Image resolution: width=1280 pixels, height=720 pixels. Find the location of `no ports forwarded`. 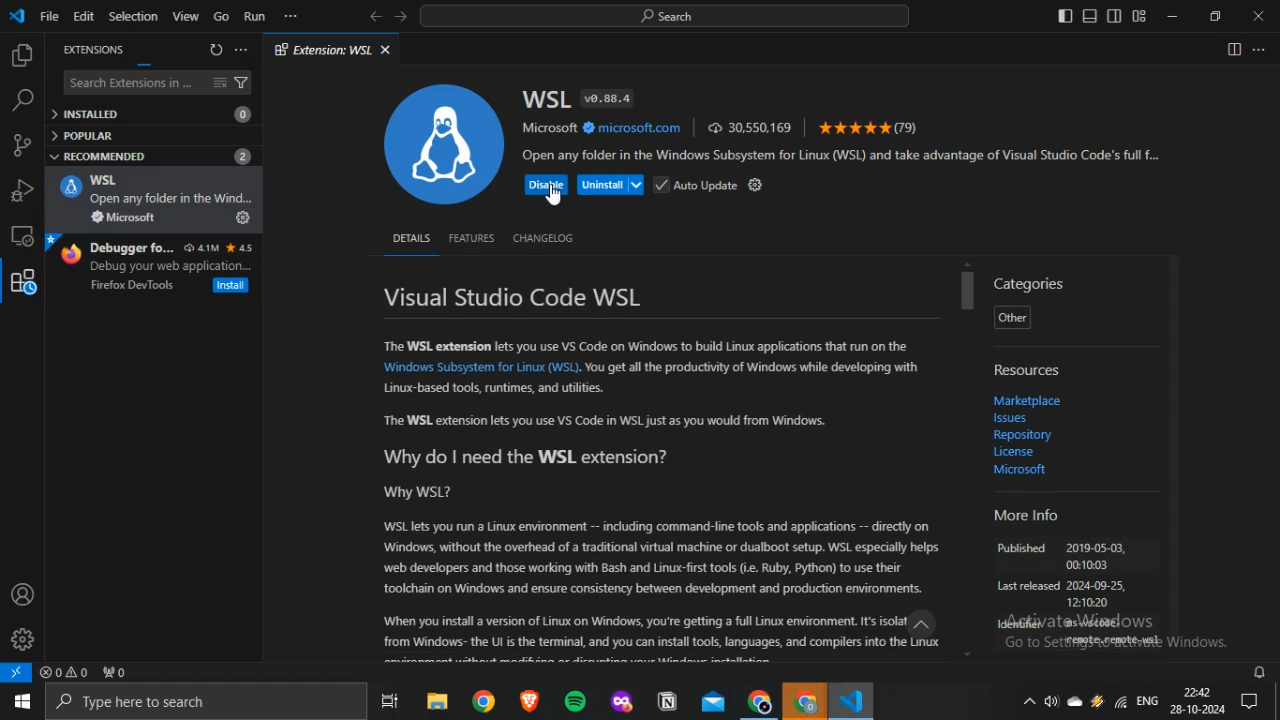

no ports forwarded is located at coordinates (115, 672).